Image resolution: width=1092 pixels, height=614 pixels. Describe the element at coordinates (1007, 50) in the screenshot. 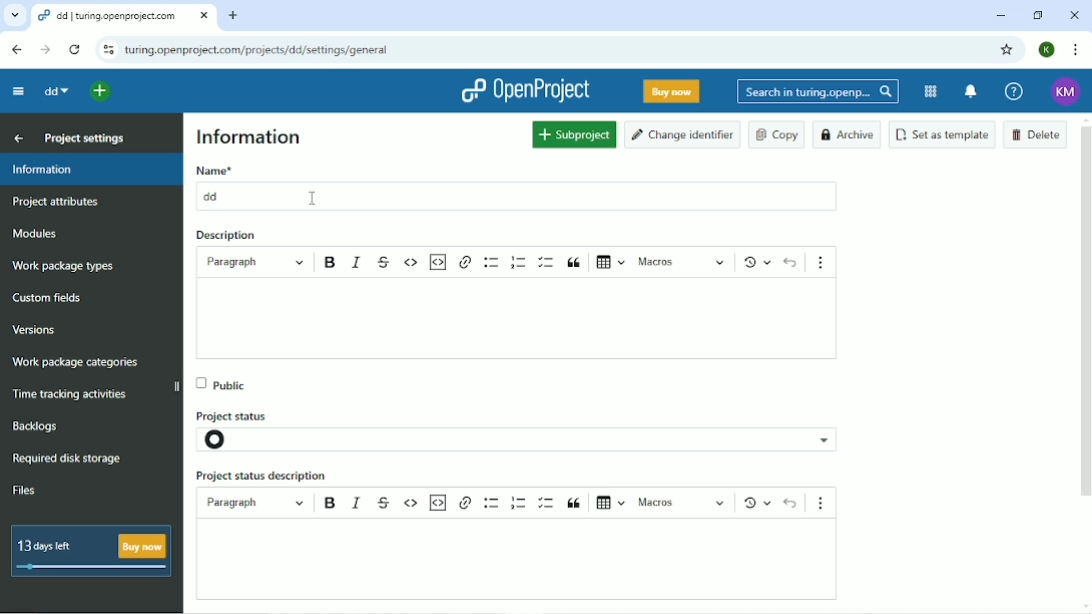

I see `Bookmark this tab` at that location.